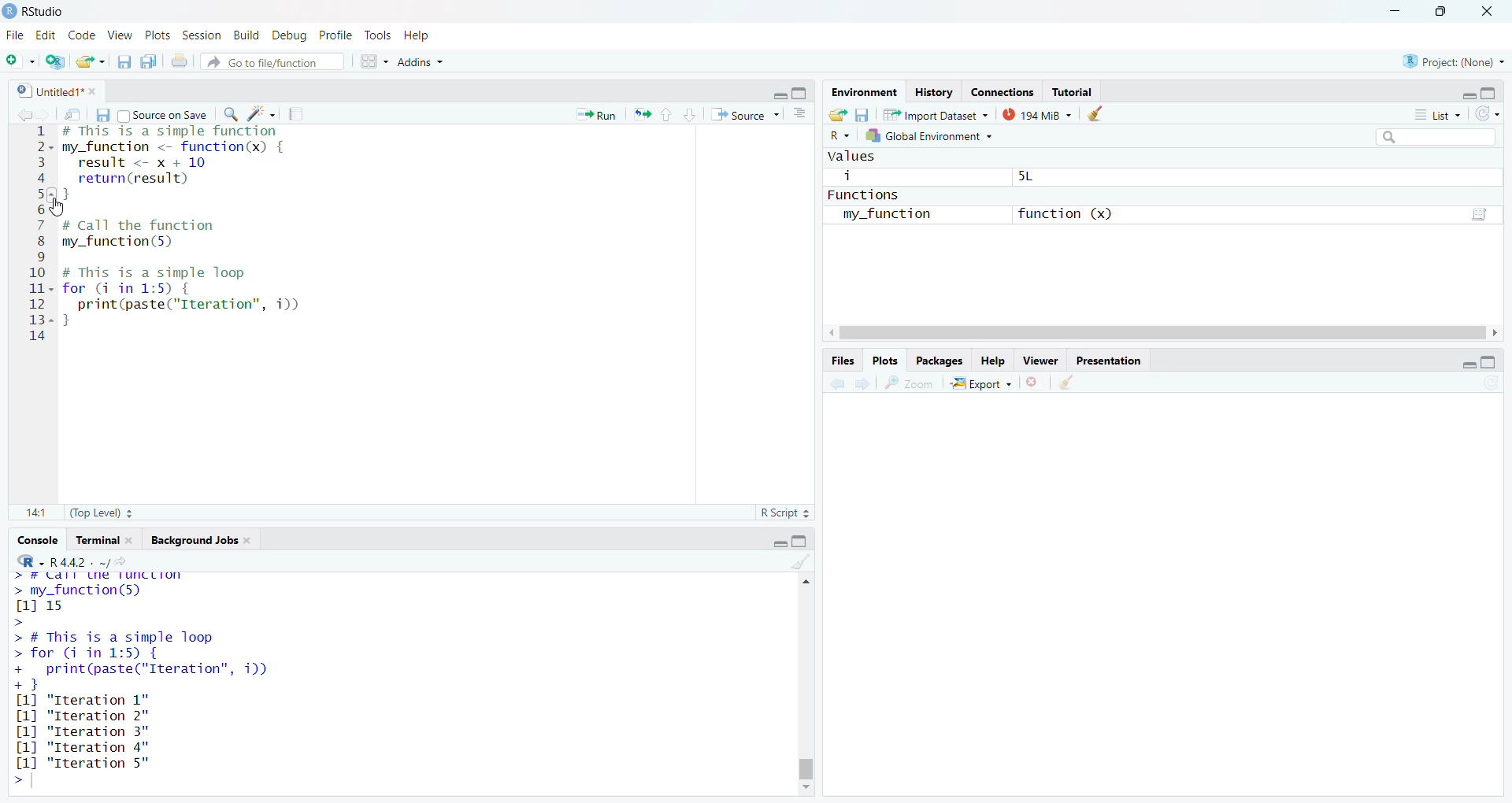  Describe the element at coordinates (421, 61) in the screenshot. I see `addins` at that location.